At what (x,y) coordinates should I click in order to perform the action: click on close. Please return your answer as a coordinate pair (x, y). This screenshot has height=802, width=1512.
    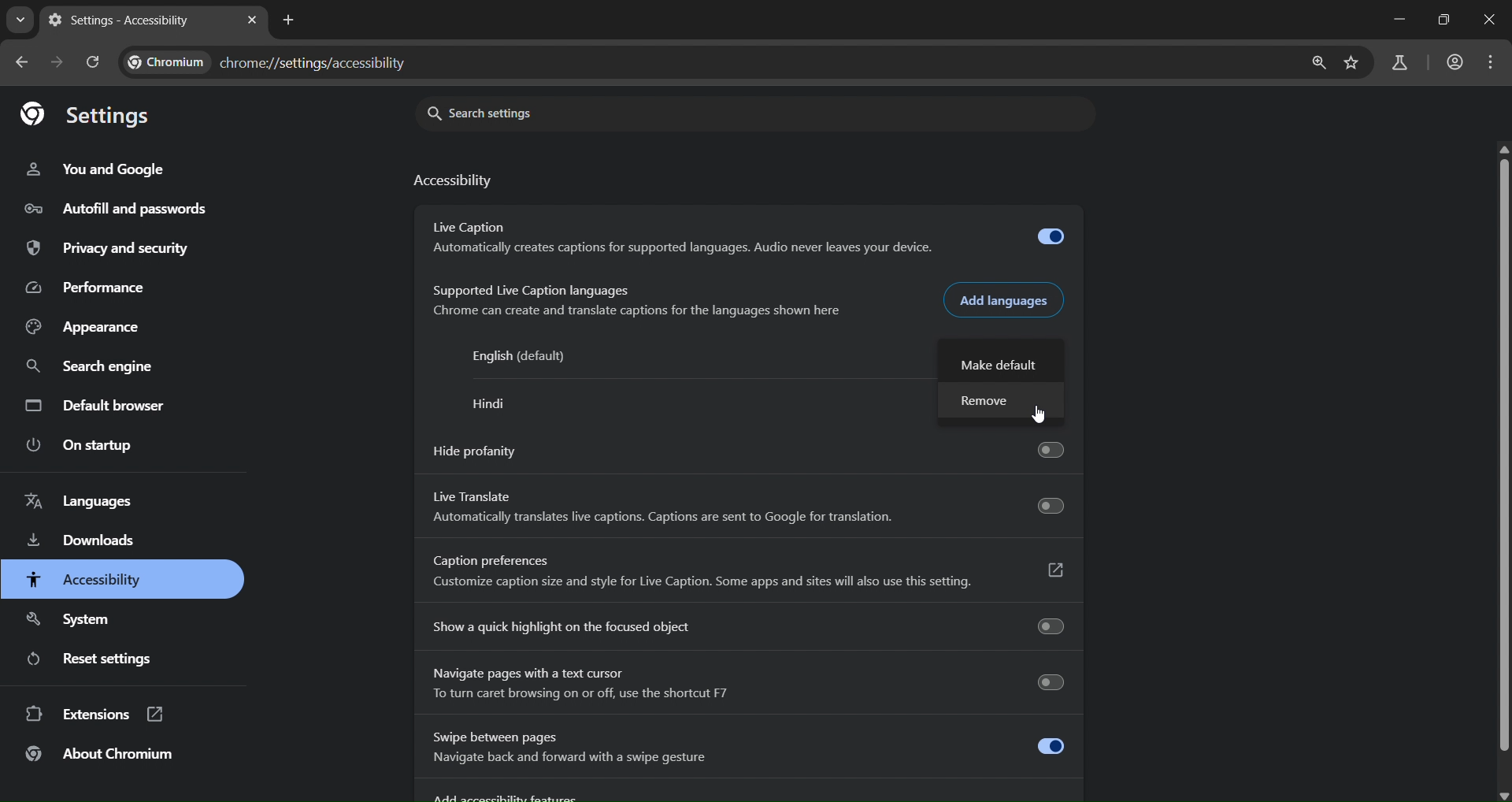
    Looking at the image, I should click on (1492, 22).